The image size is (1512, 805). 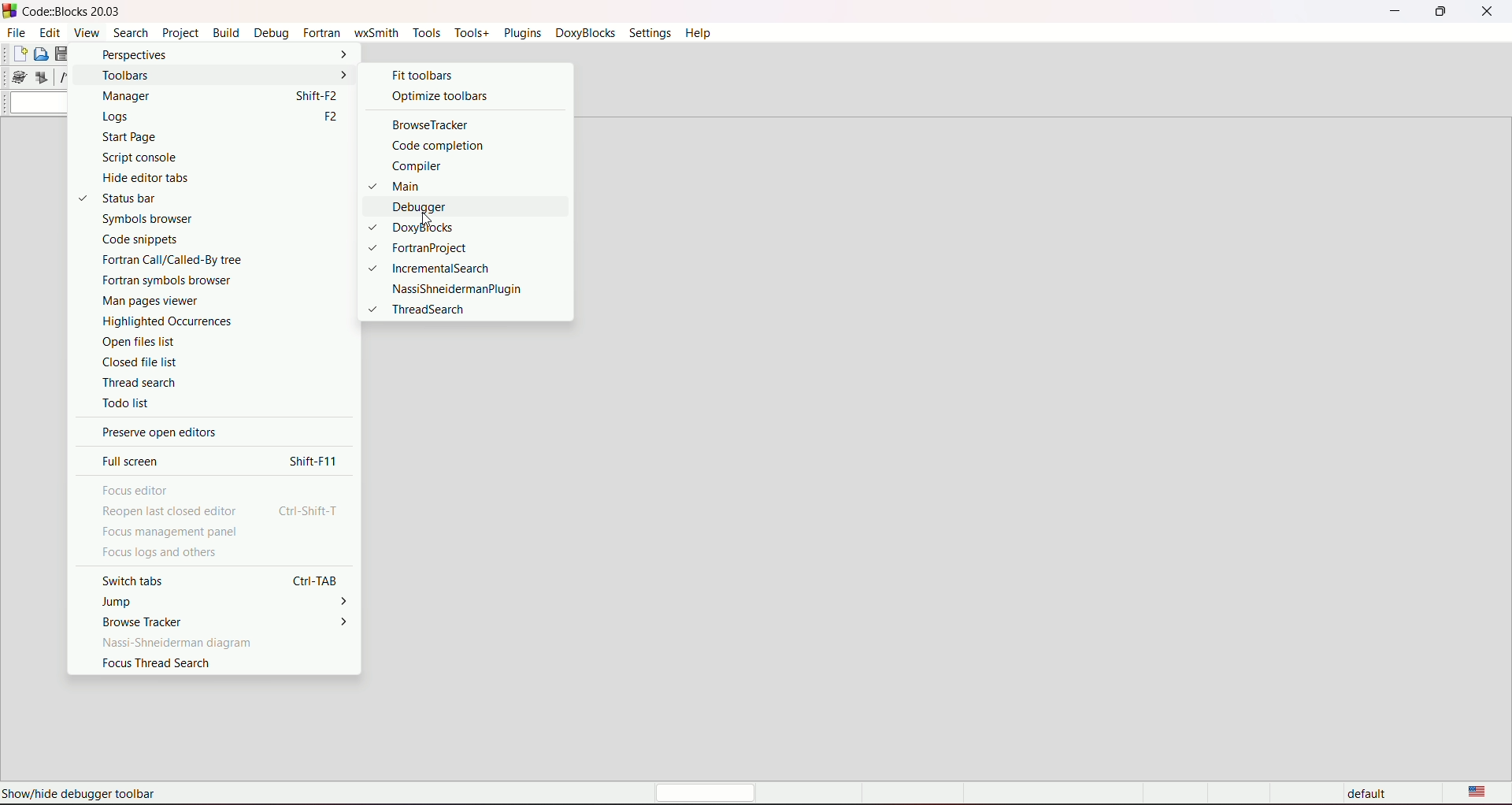 What do you see at coordinates (65, 11) in the screenshot?
I see `CodezBlocks 20.03` at bounding box center [65, 11].